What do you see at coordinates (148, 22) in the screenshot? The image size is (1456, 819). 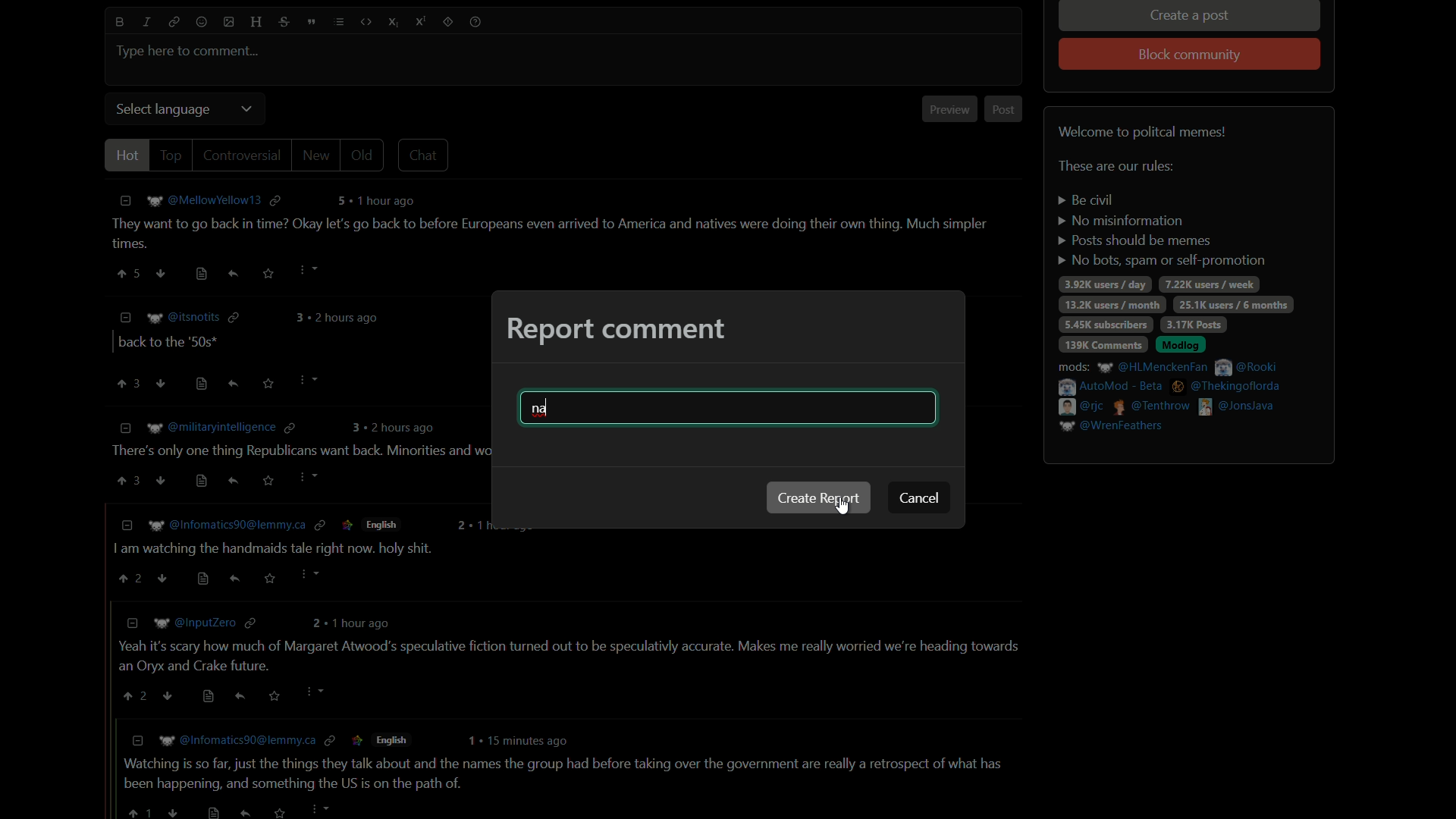 I see `italic` at bounding box center [148, 22].